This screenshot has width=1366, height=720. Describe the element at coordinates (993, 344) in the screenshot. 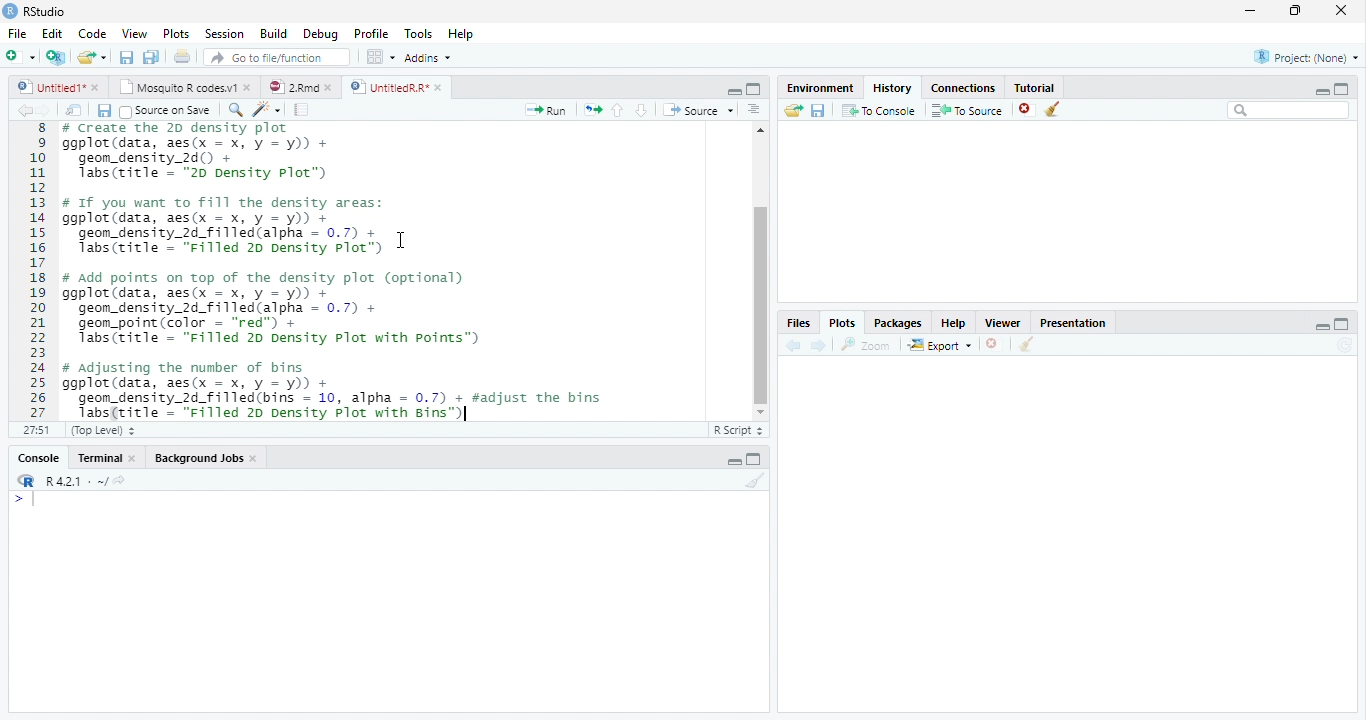

I see `close` at that location.